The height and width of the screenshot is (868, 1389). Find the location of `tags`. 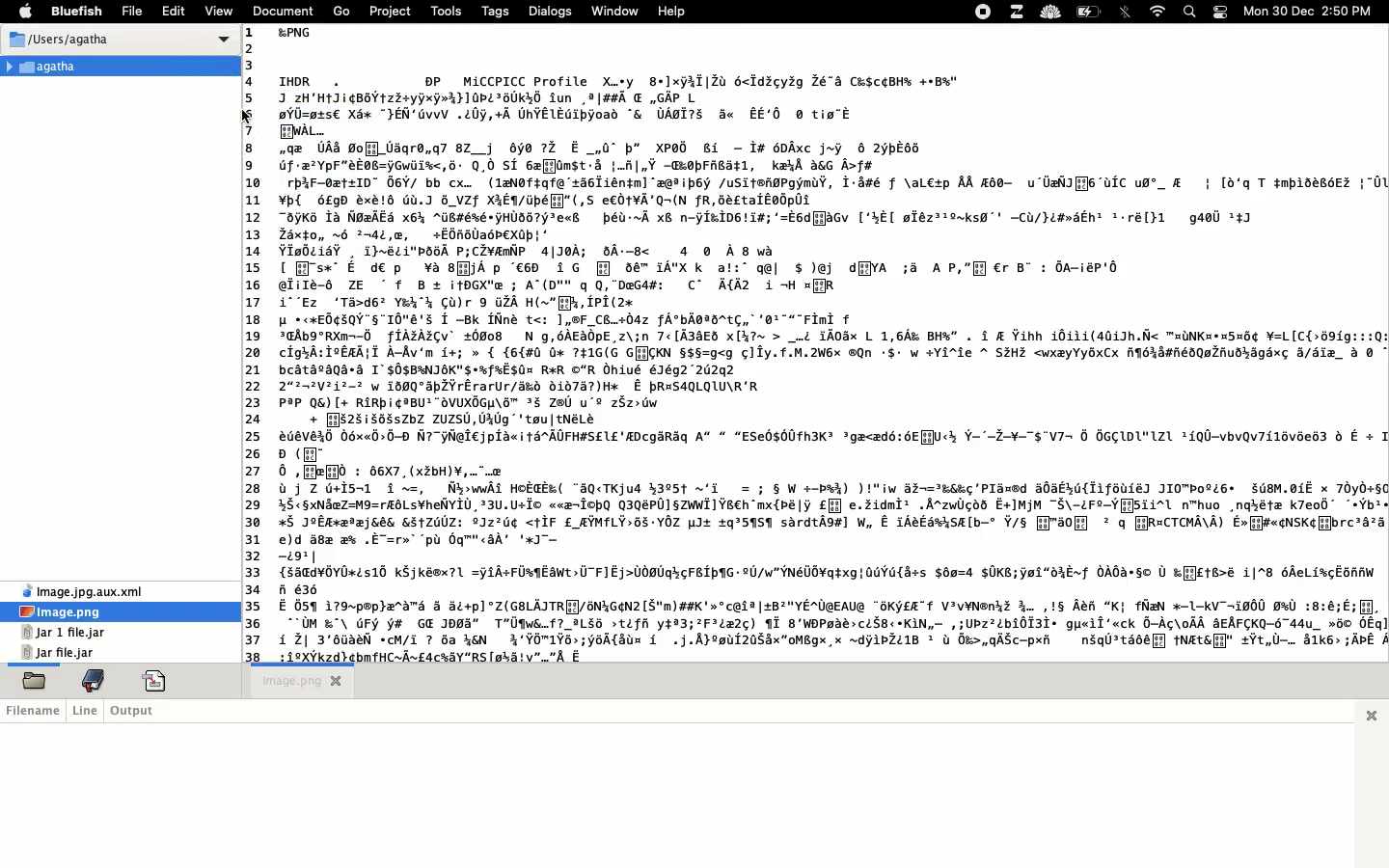

tags is located at coordinates (500, 11).